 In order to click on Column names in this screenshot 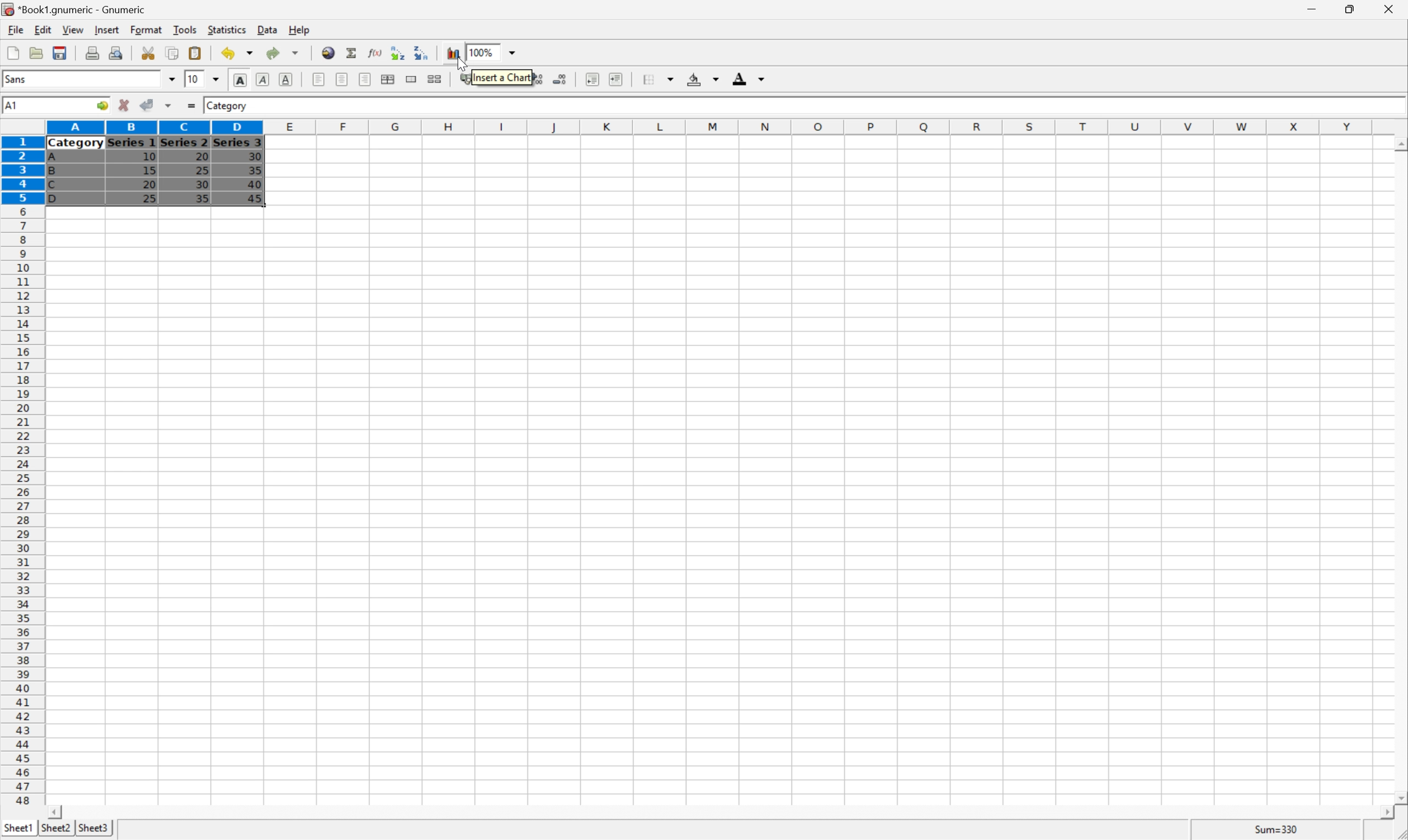, I will do `click(713, 128)`.